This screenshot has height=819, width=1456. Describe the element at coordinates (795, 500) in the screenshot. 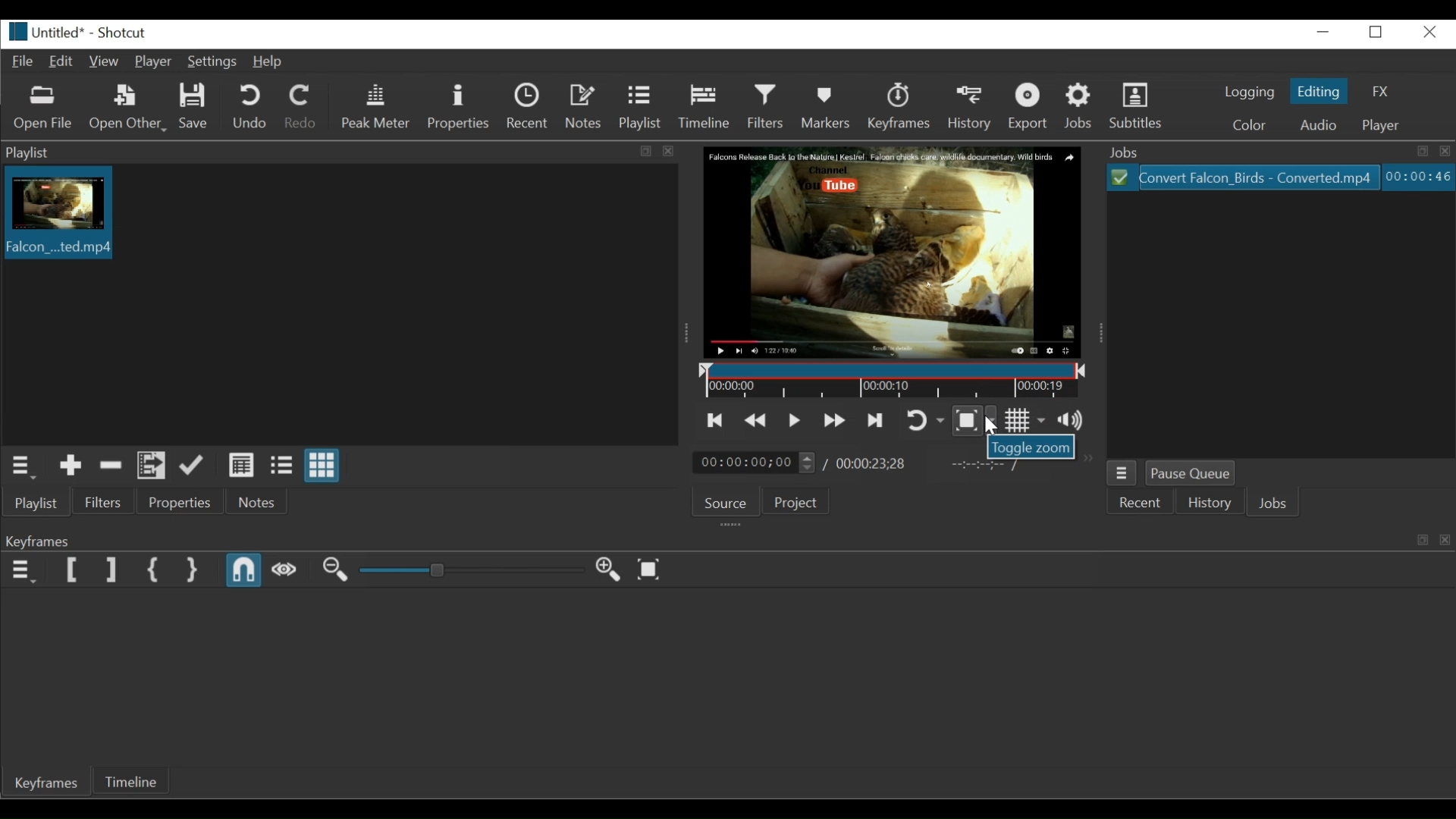

I see `Project` at that location.